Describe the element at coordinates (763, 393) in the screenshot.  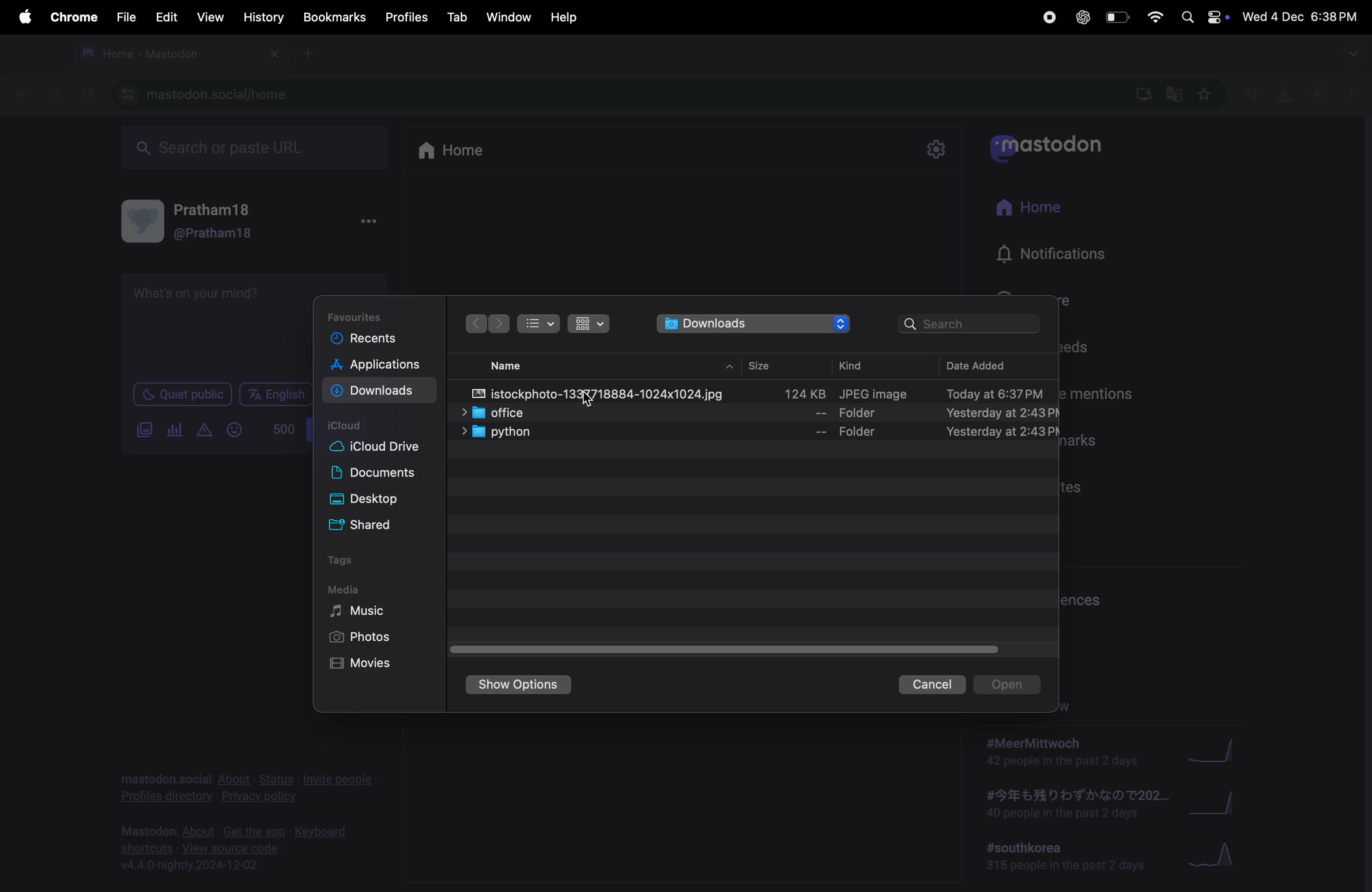
I see `photo` at that location.